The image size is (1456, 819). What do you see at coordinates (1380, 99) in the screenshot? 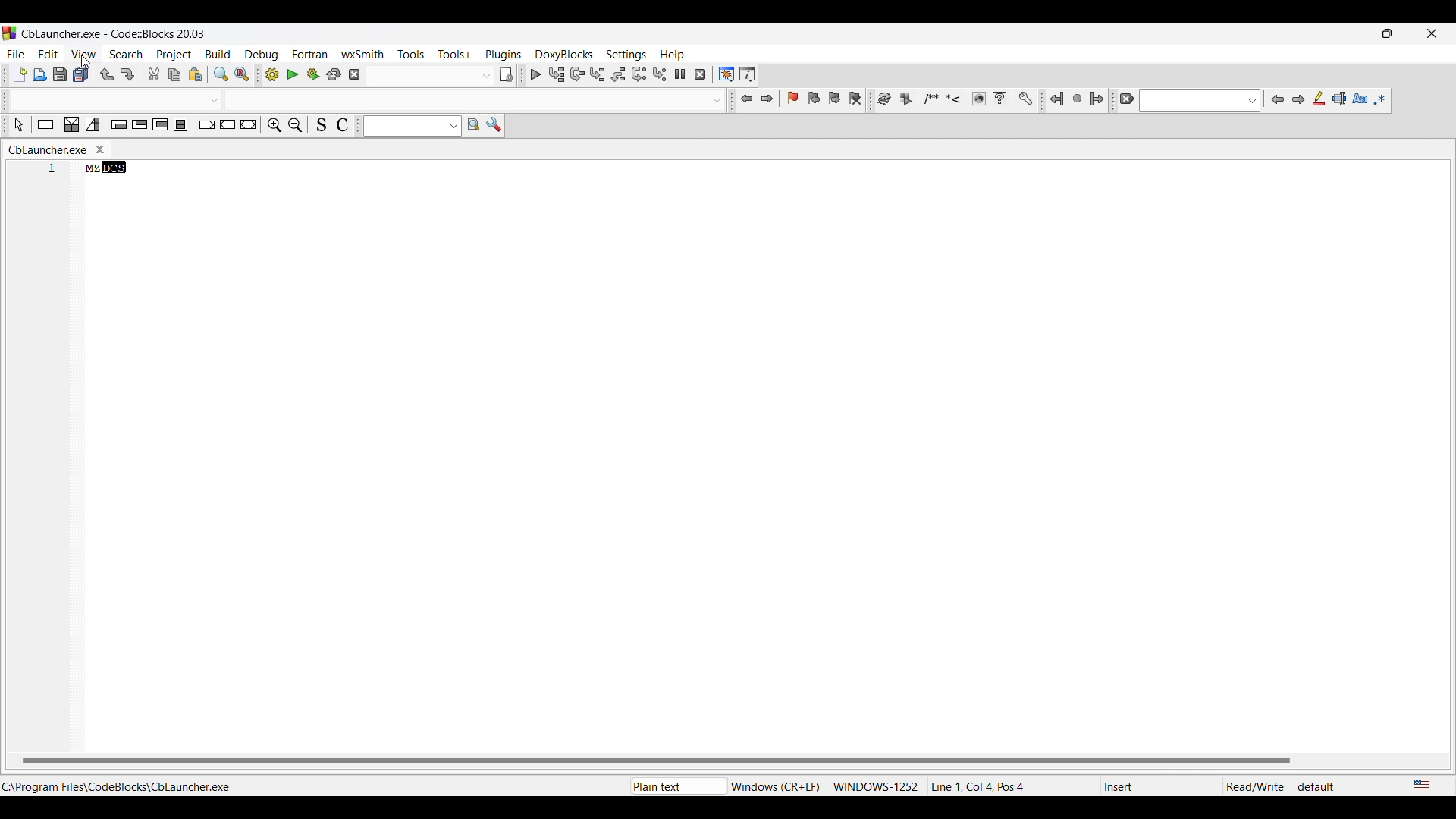
I see `Use regex` at bounding box center [1380, 99].